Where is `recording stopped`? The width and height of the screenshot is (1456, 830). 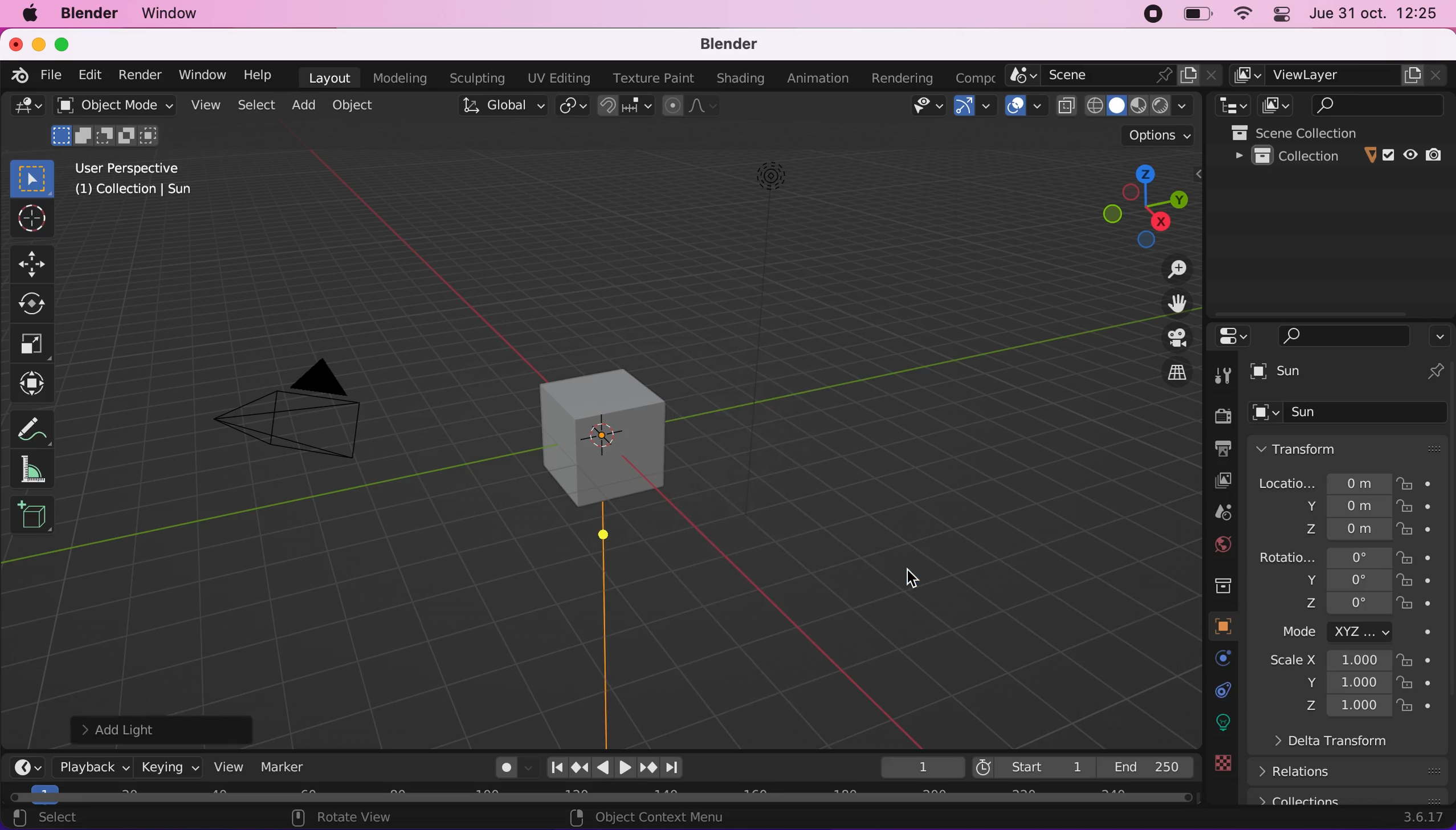
recording stopped is located at coordinates (1153, 14).